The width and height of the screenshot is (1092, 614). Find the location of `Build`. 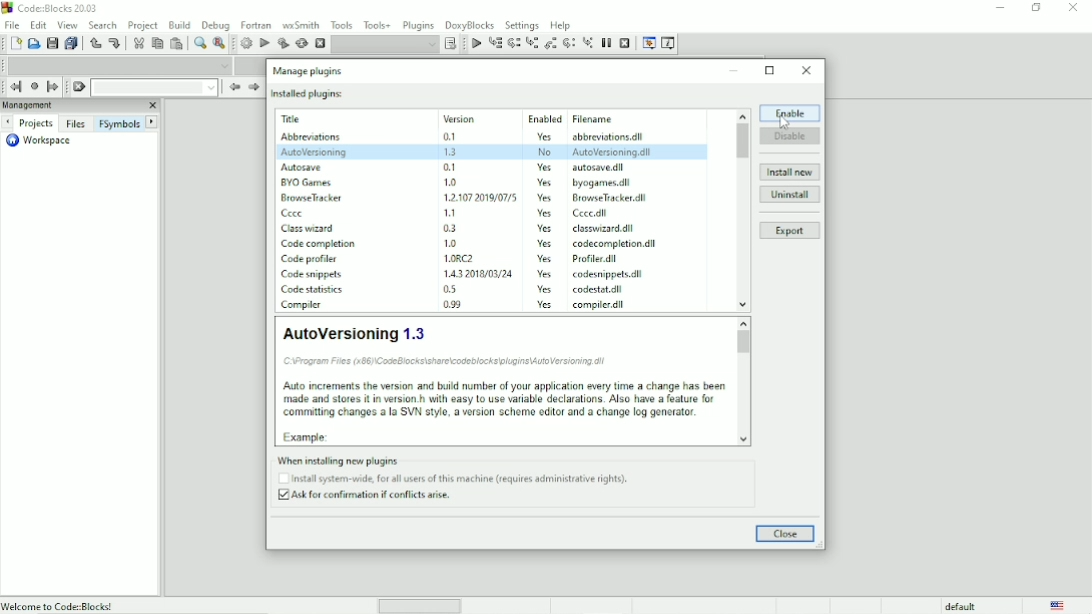

Build is located at coordinates (246, 43).